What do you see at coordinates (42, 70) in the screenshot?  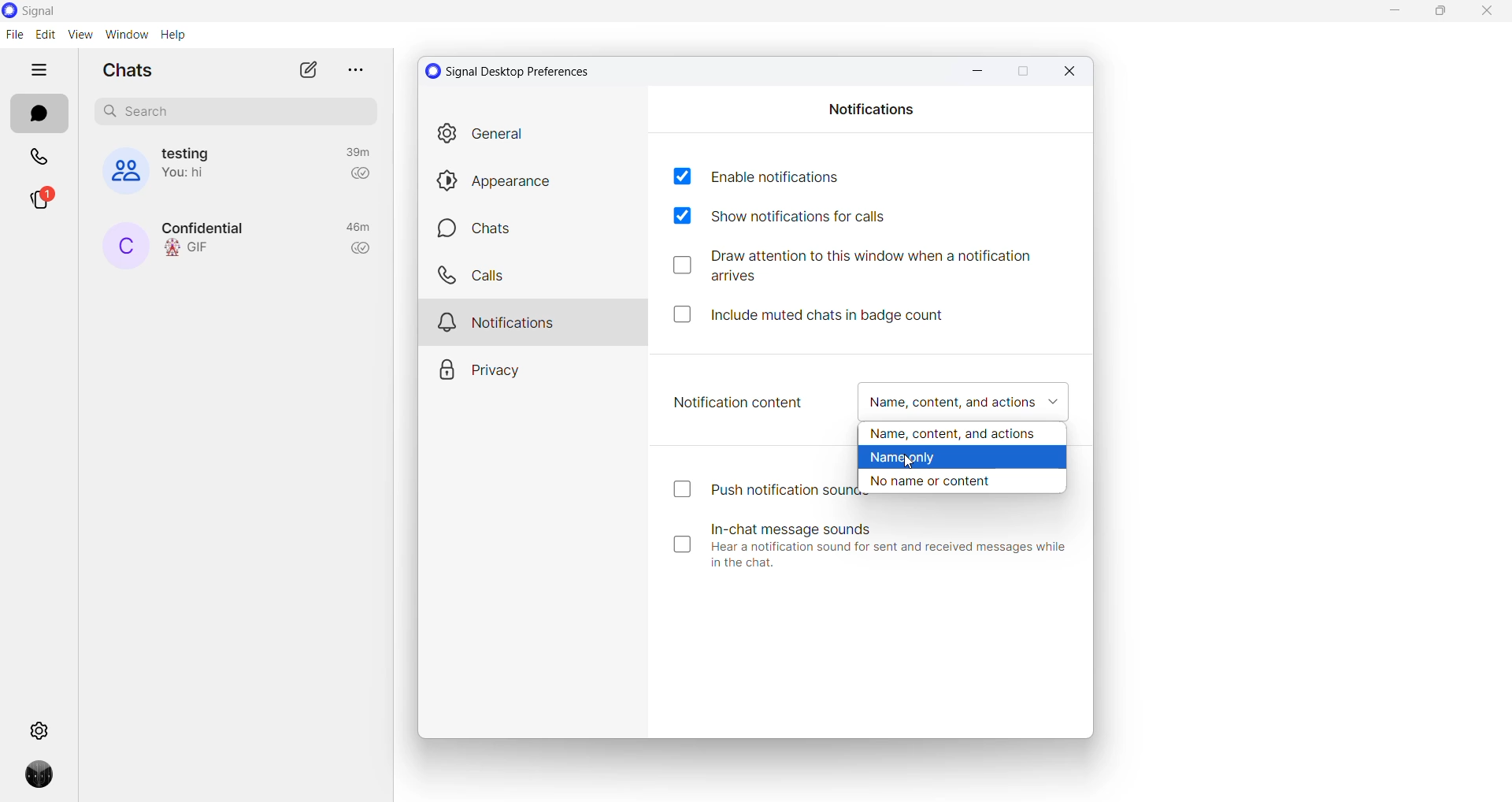 I see `hide tabs` at bounding box center [42, 70].